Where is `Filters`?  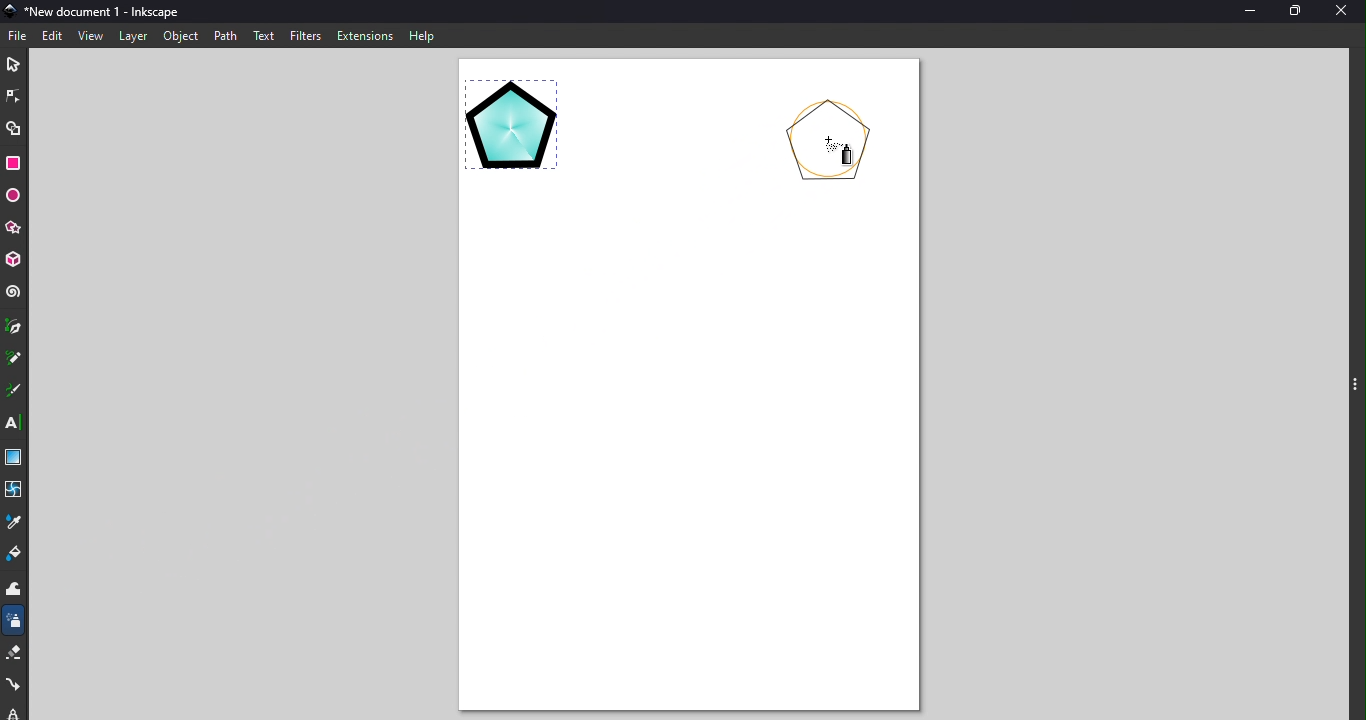 Filters is located at coordinates (306, 35).